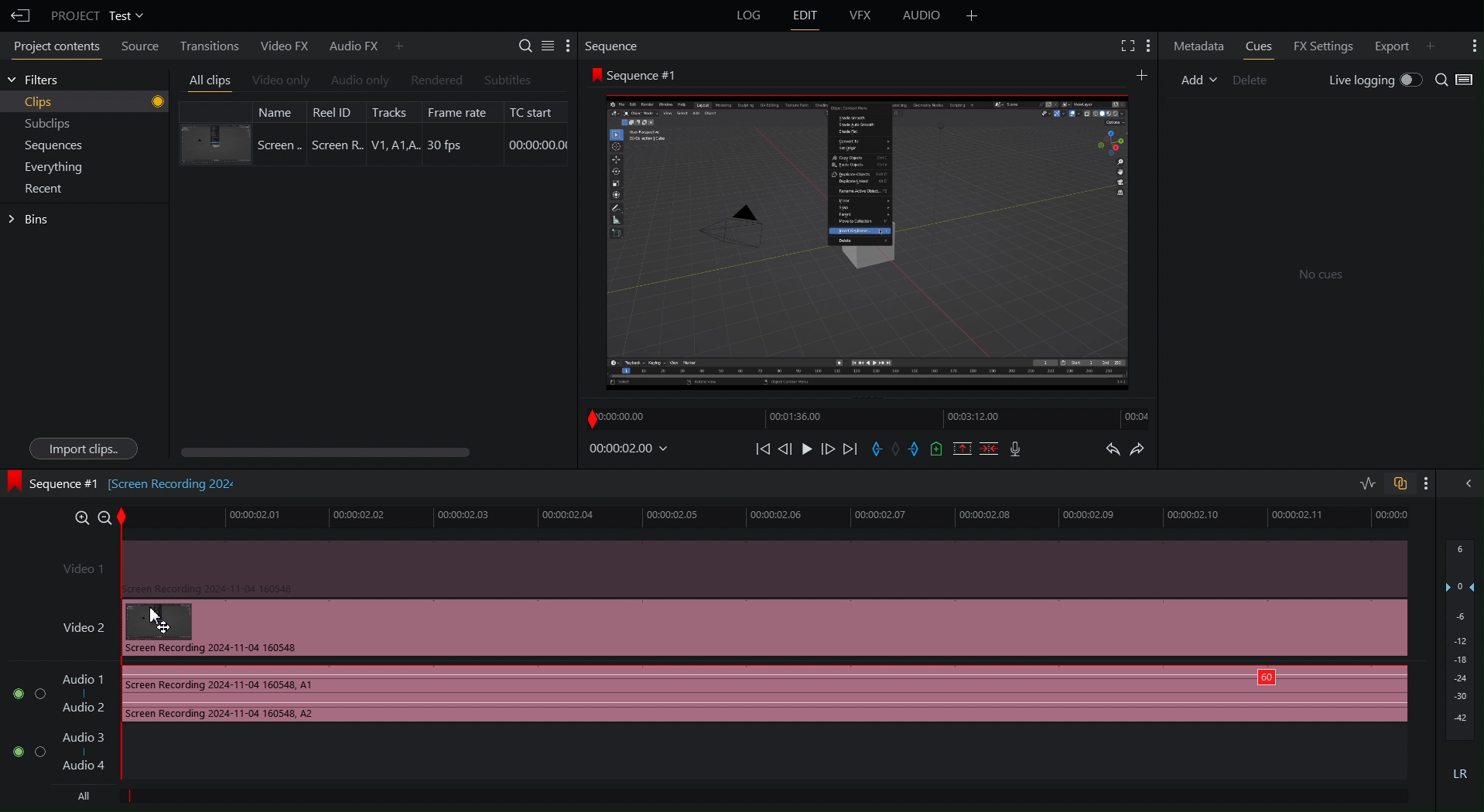 This screenshot has width=1484, height=812. I want to click on VFX, so click(861, 16).